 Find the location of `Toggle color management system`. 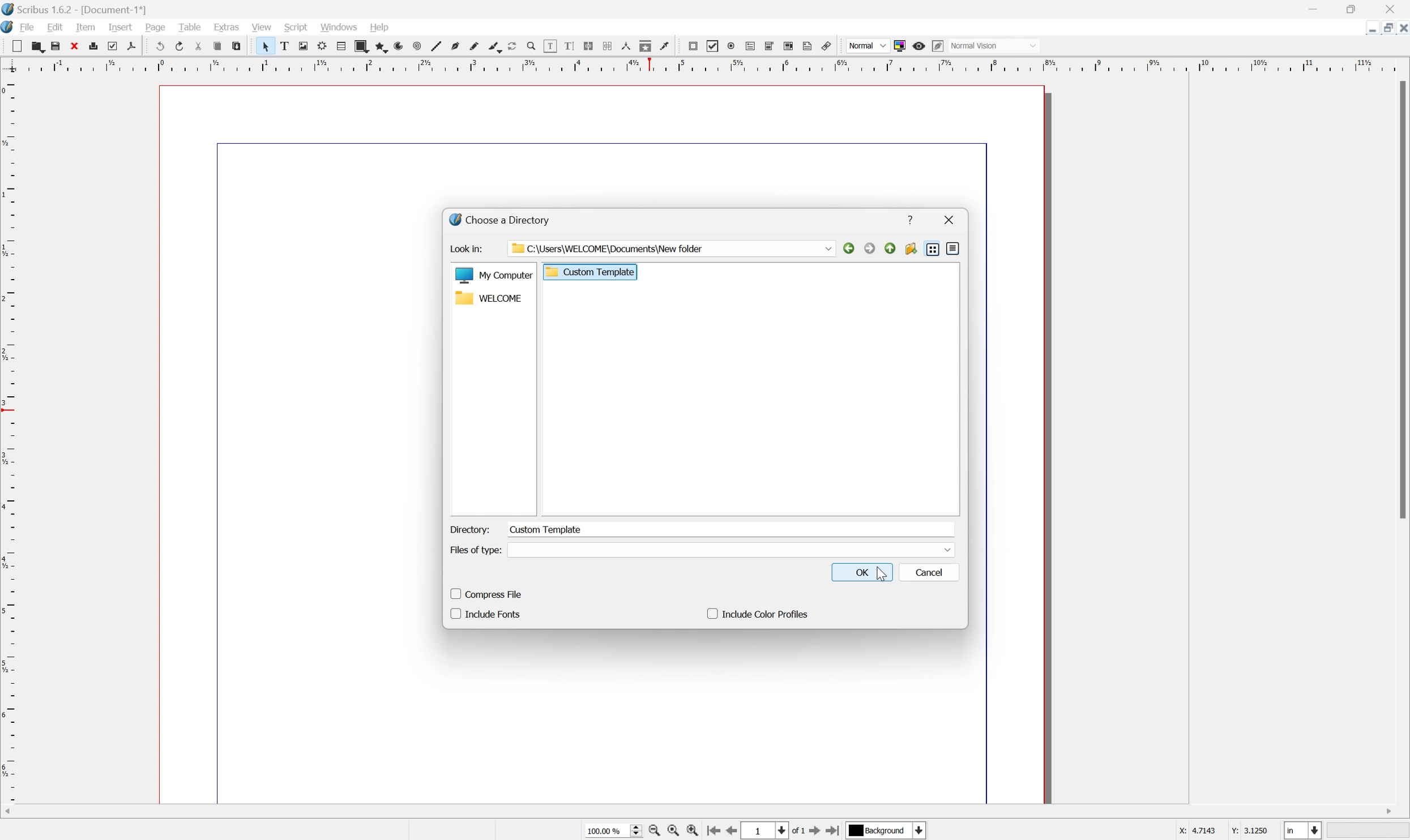

Toggle color management system is located at coordinates (901, 45).